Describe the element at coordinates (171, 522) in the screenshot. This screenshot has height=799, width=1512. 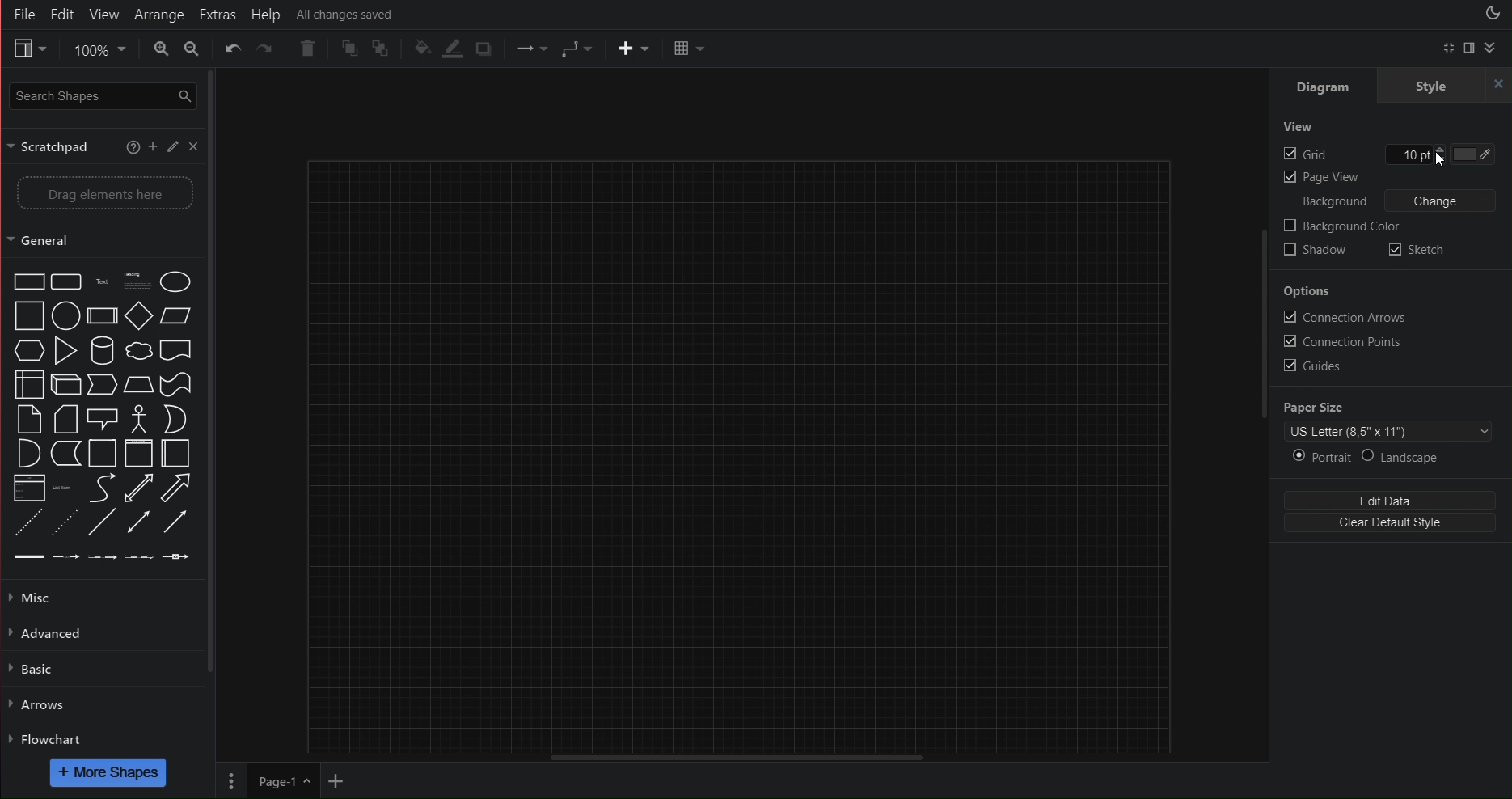
I see `single side arrow` at that location.